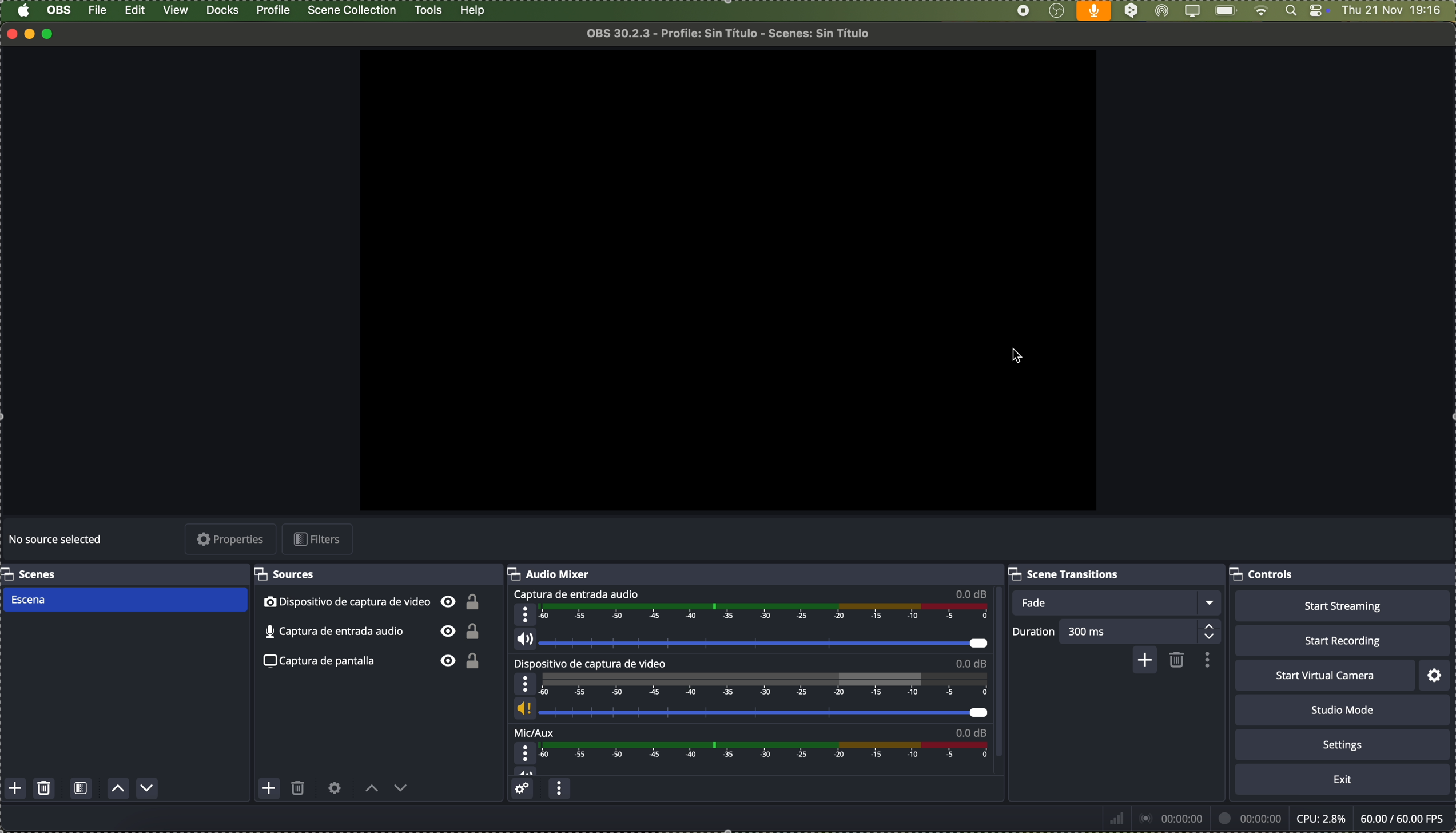 The width and height of the screenshot is (1456, 833). What do you see at coordinates (430, 9) in the screenshot?
I see `click on tools` at bounding box center [430, 9].